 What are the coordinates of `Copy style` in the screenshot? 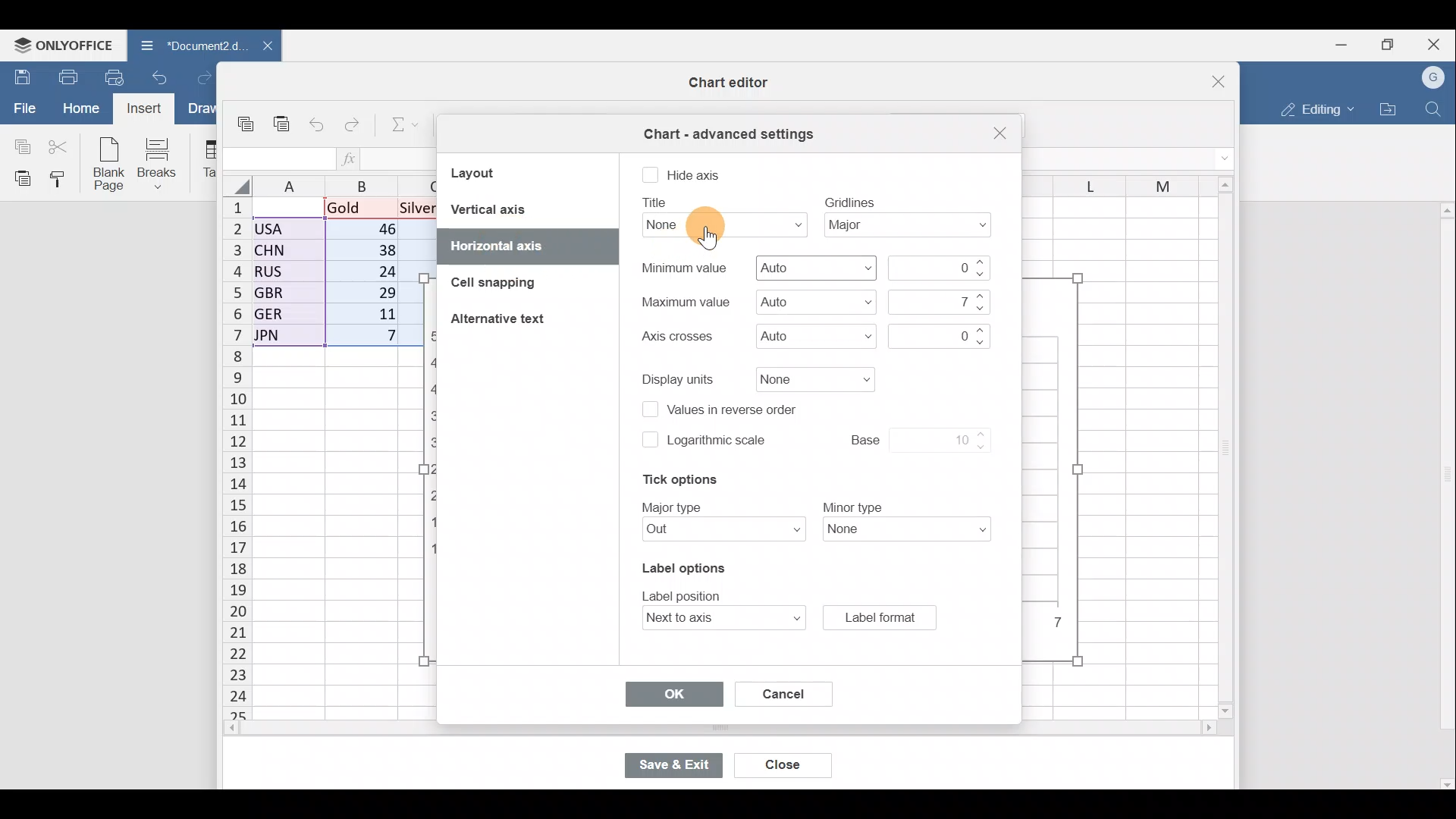 It's located at (62, 180).